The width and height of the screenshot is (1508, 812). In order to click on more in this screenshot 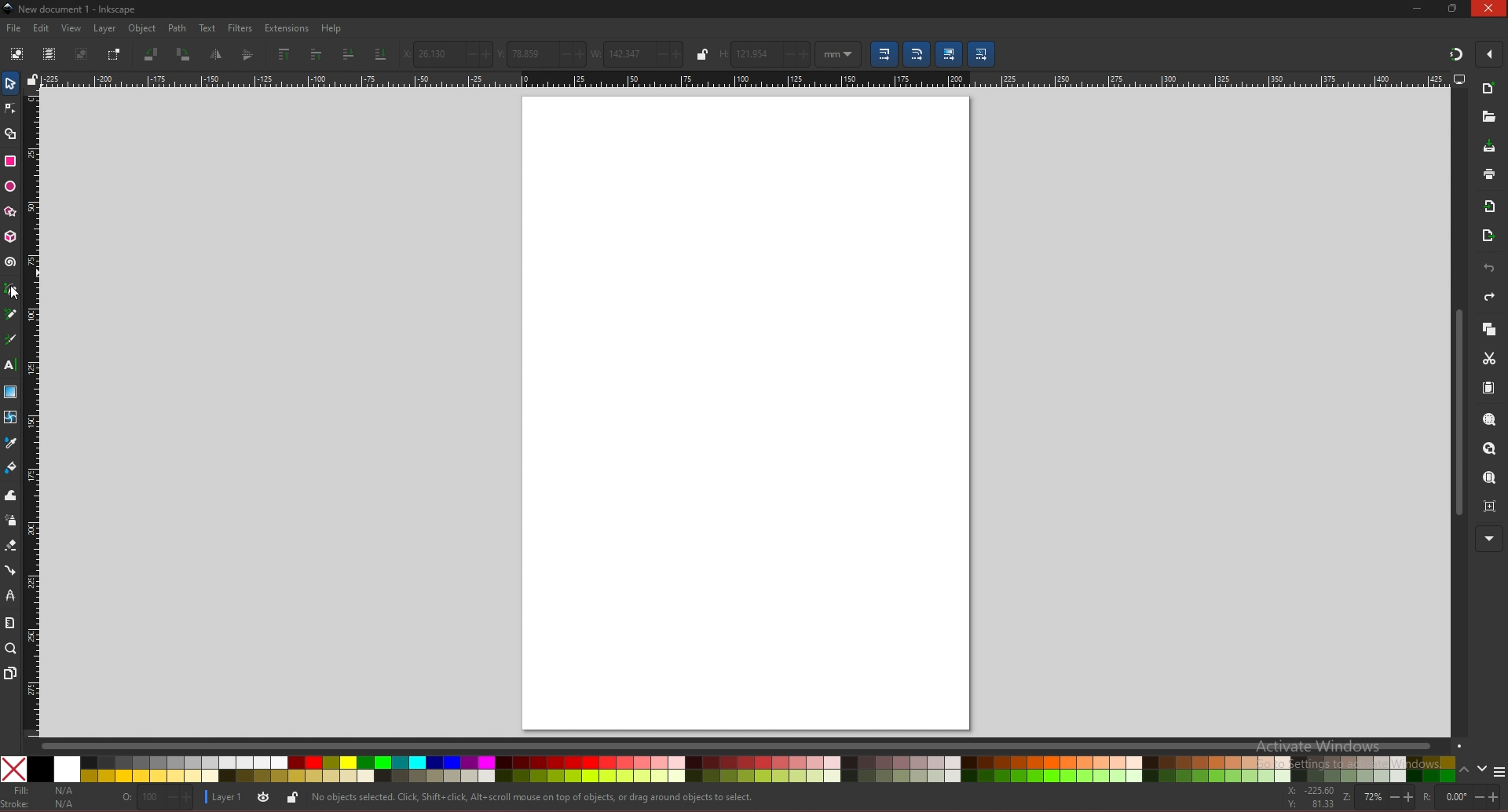, I will do `click(1489, 540)`.